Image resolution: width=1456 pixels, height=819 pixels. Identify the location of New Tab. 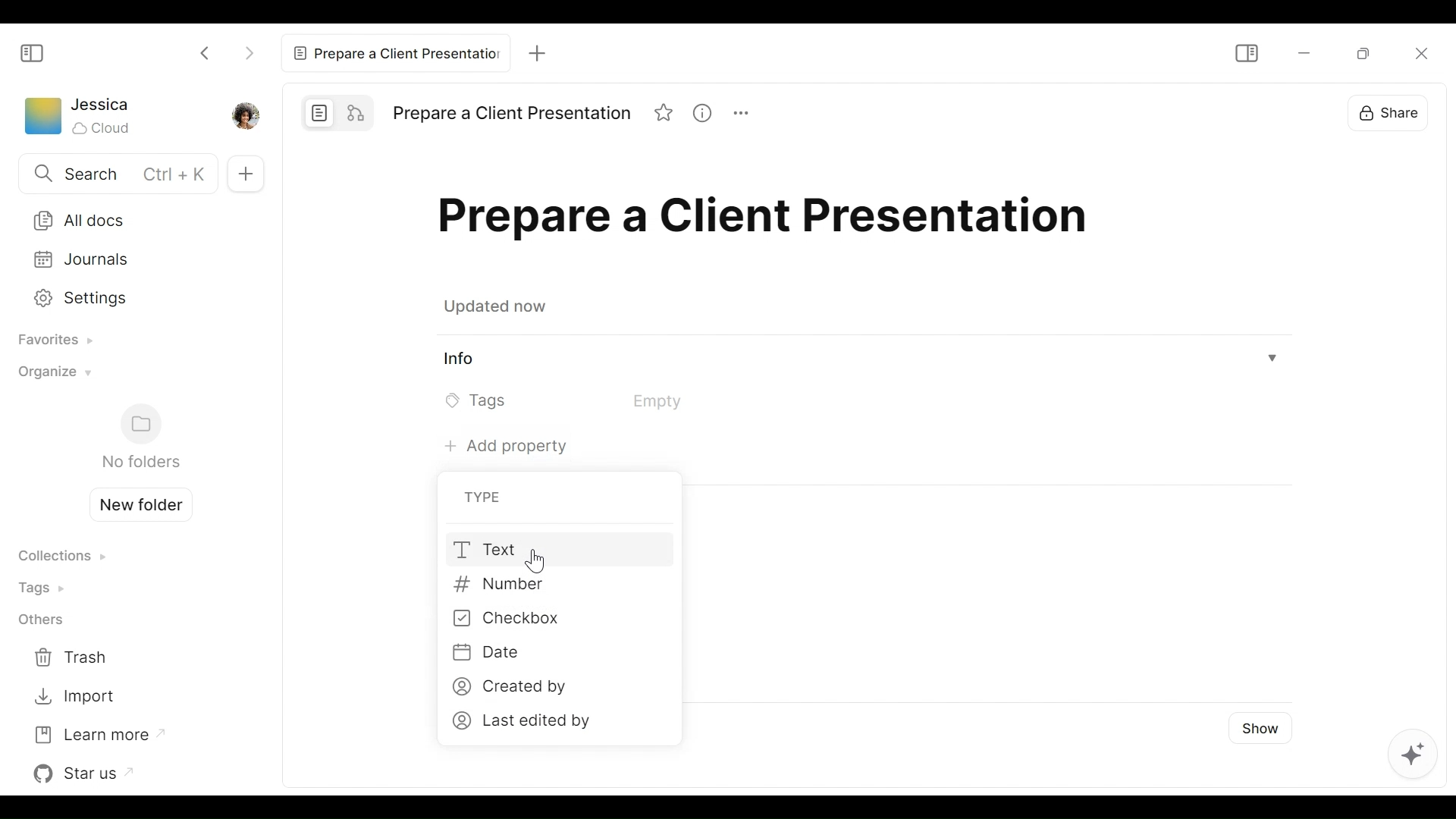
(541, 52).